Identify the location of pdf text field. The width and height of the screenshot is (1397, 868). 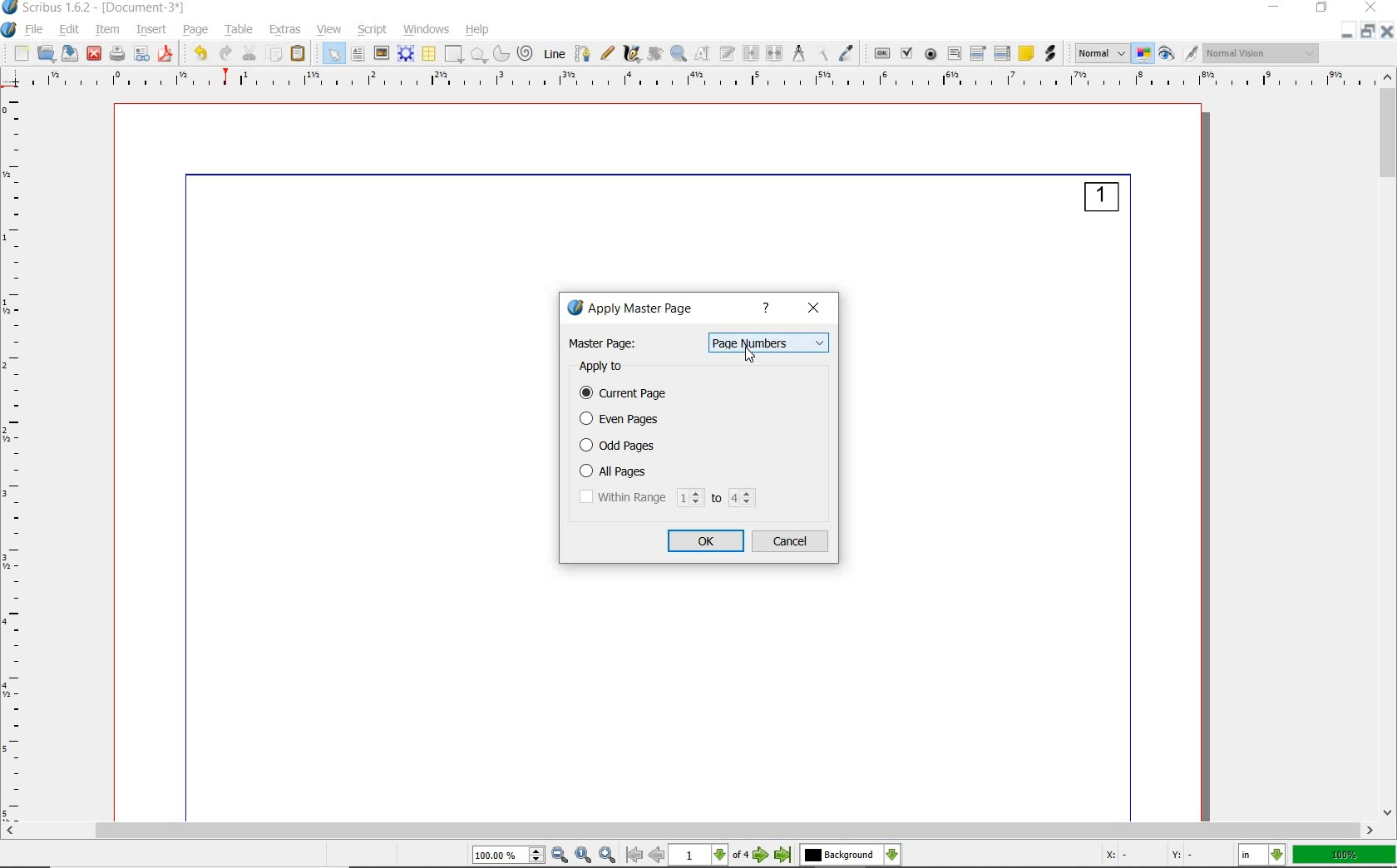
(953, 52).